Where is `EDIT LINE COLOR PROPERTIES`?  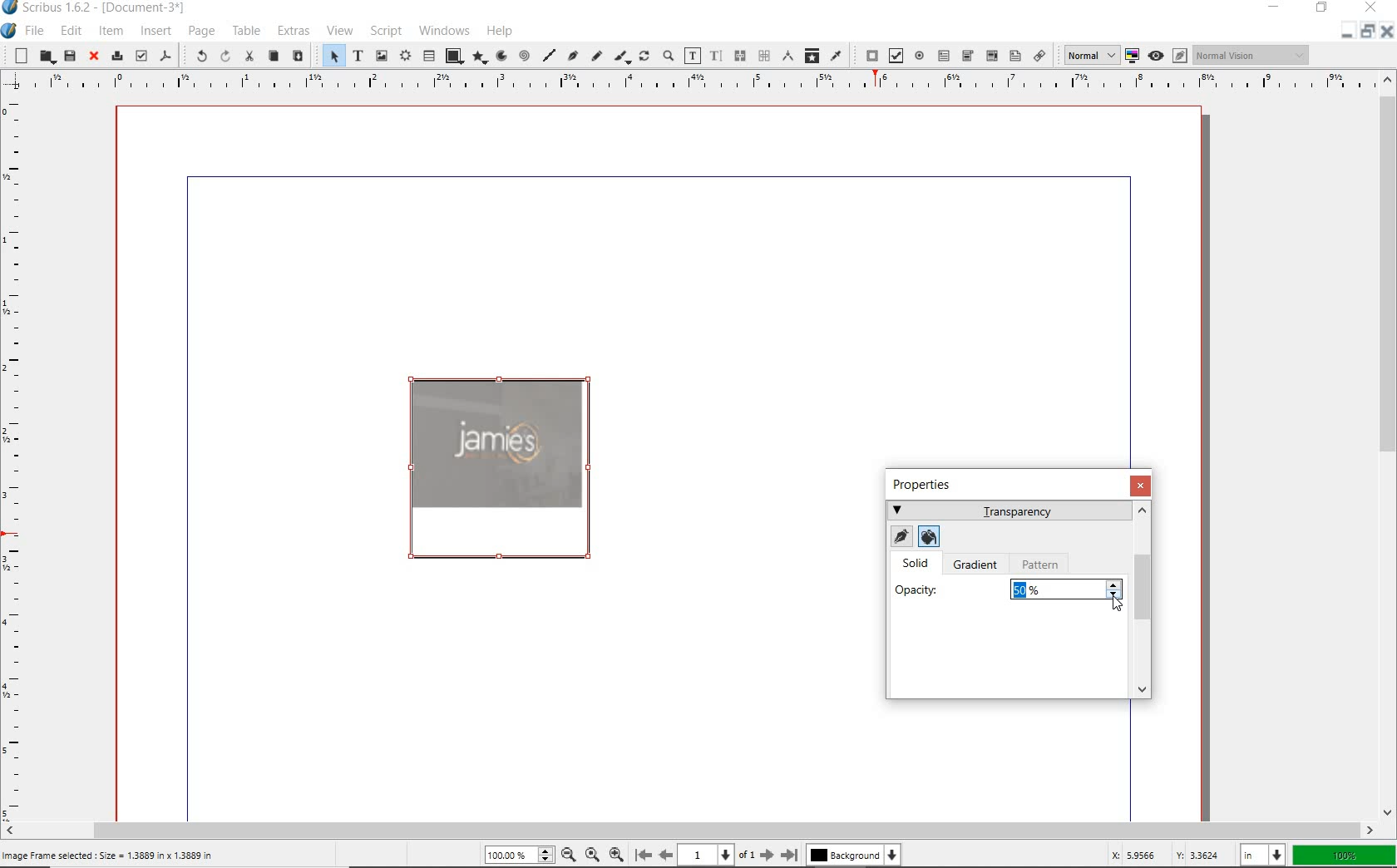
EDIT LINE COLOR PROPERTIES is located at coordinates (900, 537).